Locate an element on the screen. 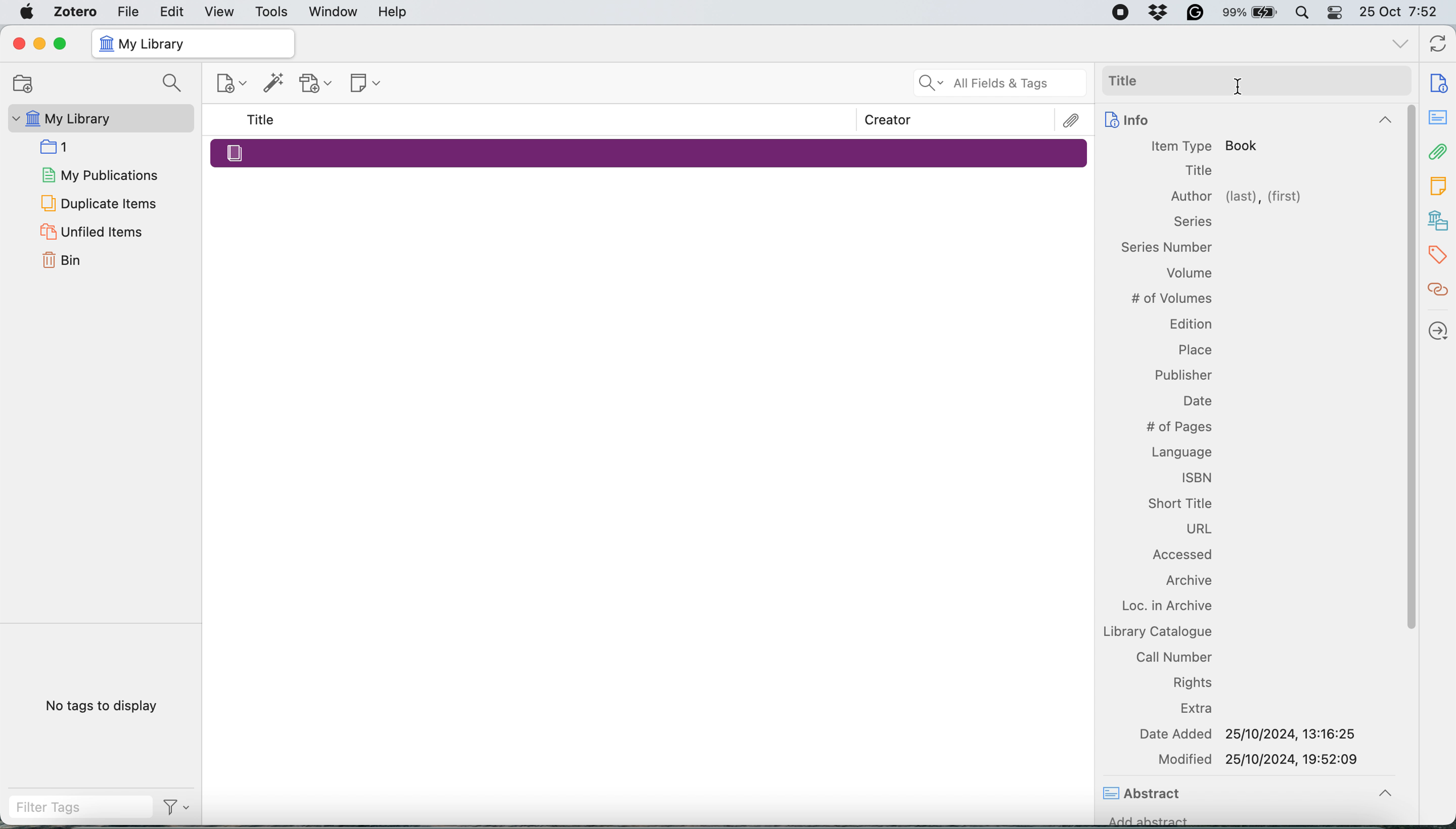  Notes is located at coordinates (1439, 183).